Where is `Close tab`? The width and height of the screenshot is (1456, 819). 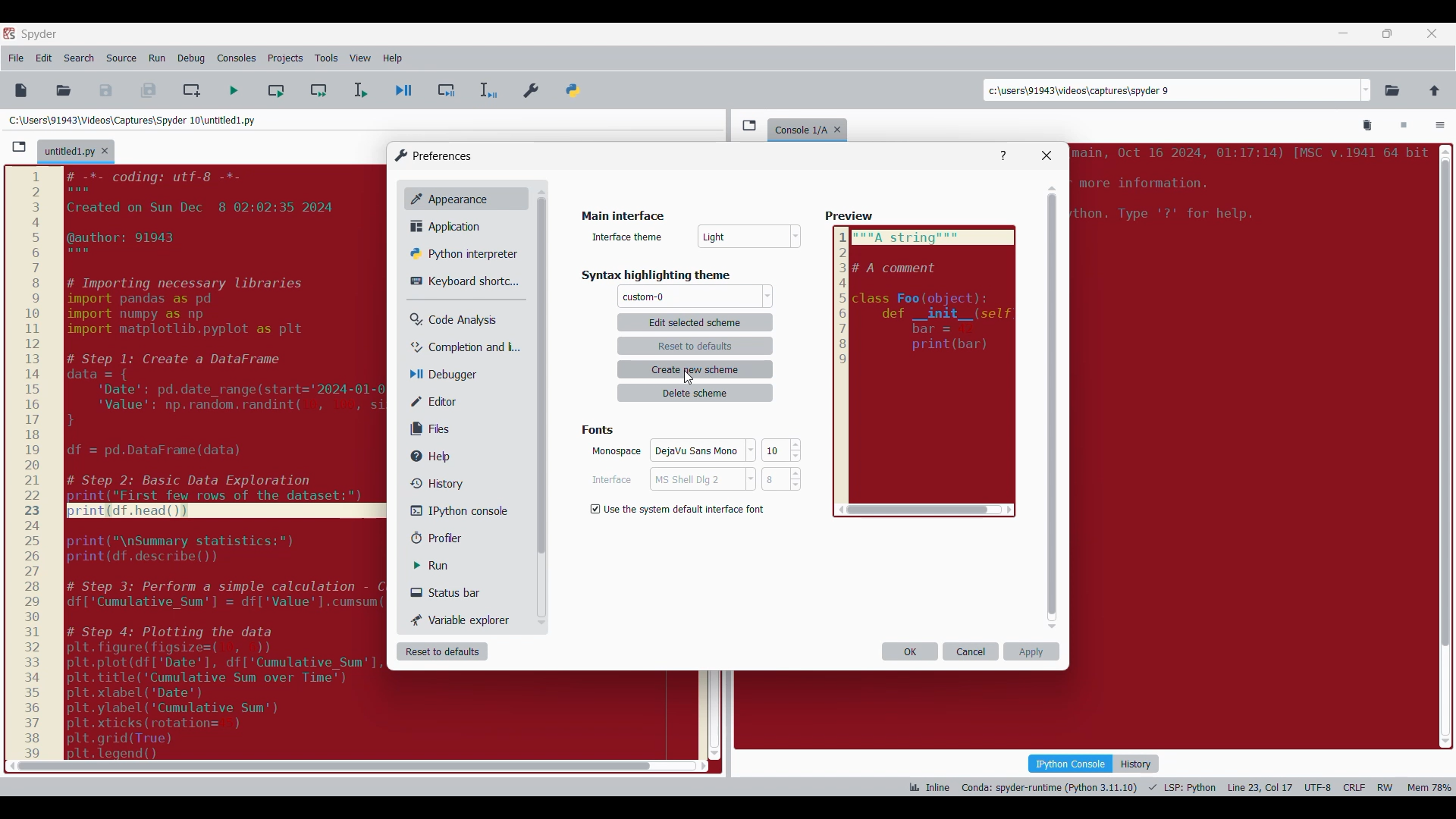
Close tab is located at coordinates (841, 127).